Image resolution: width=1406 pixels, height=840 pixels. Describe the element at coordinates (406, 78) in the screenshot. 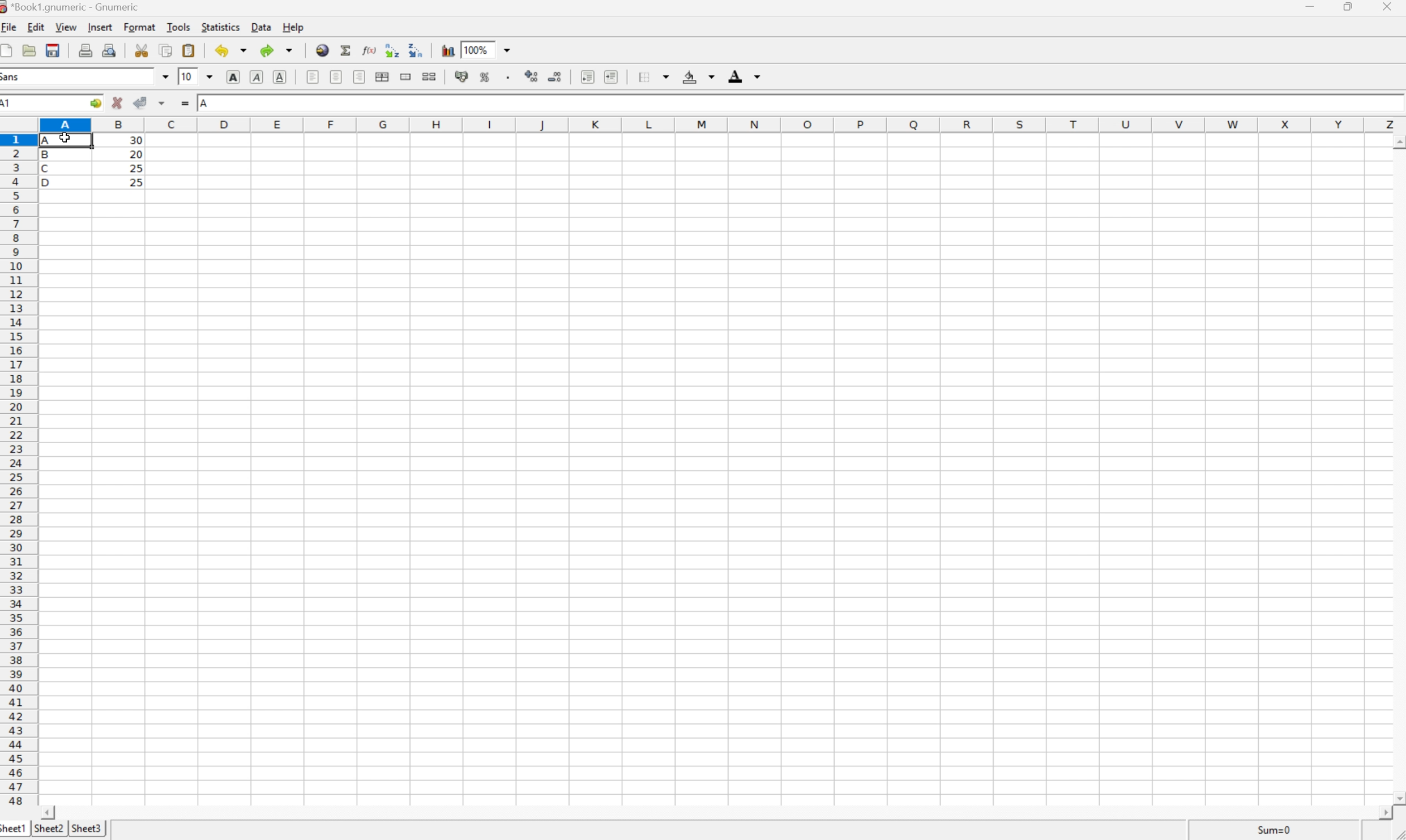

I see `Merge a range of cells` at that location.